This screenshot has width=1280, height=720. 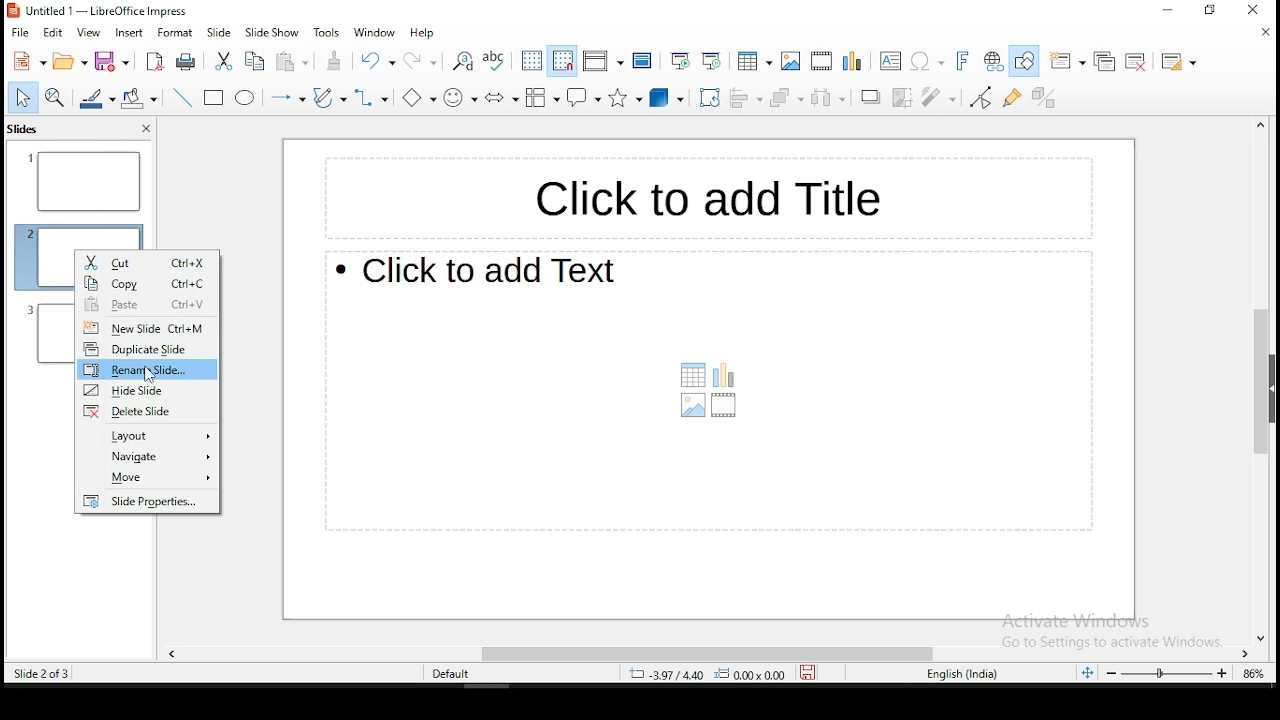 What do you see at coordinates (888, 61) in the screenshot?
I see `text box` at bounding box center [888, 61].